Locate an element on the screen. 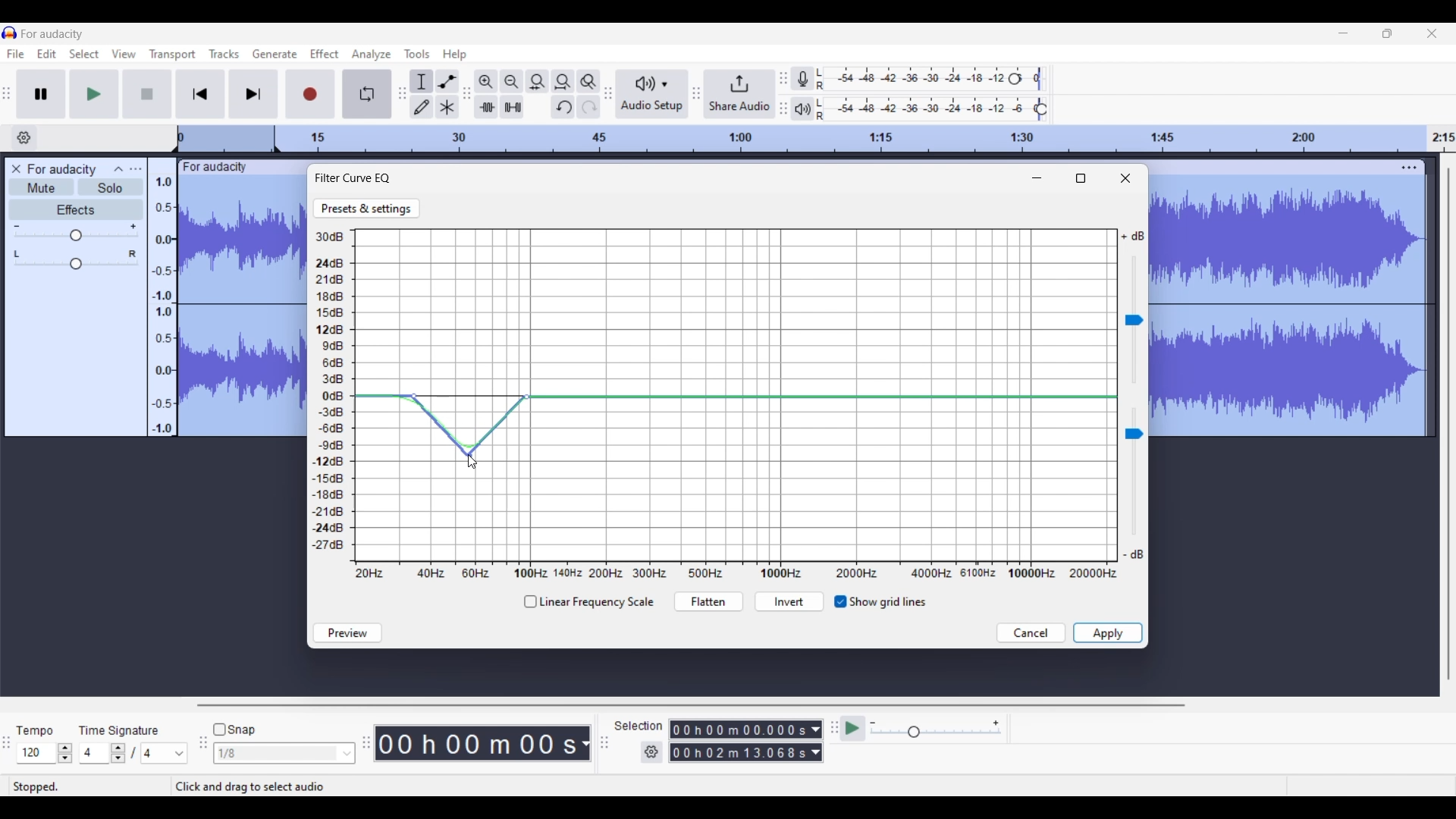 Image resolution: width=1456 pixels, height=819 pixels. Selection tool is located at coordinates (422, 81).